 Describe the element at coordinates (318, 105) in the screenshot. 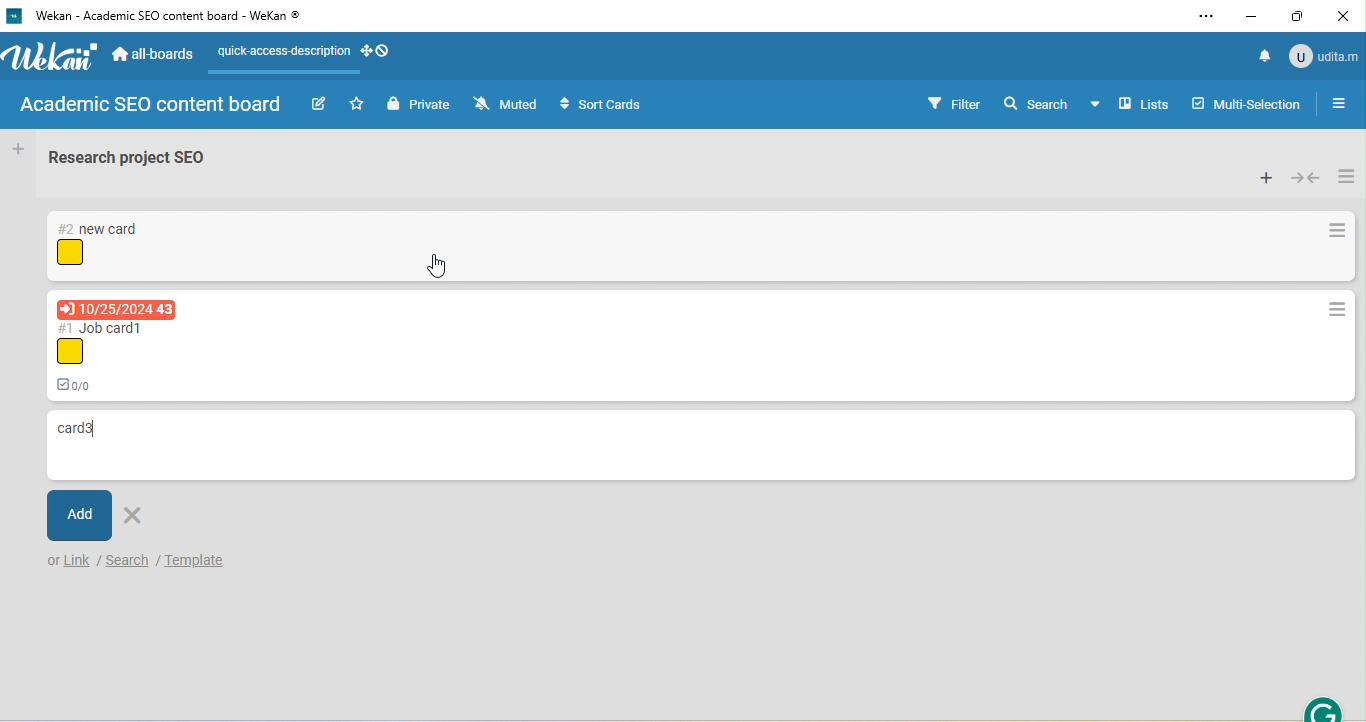

I see `edit` at that location.